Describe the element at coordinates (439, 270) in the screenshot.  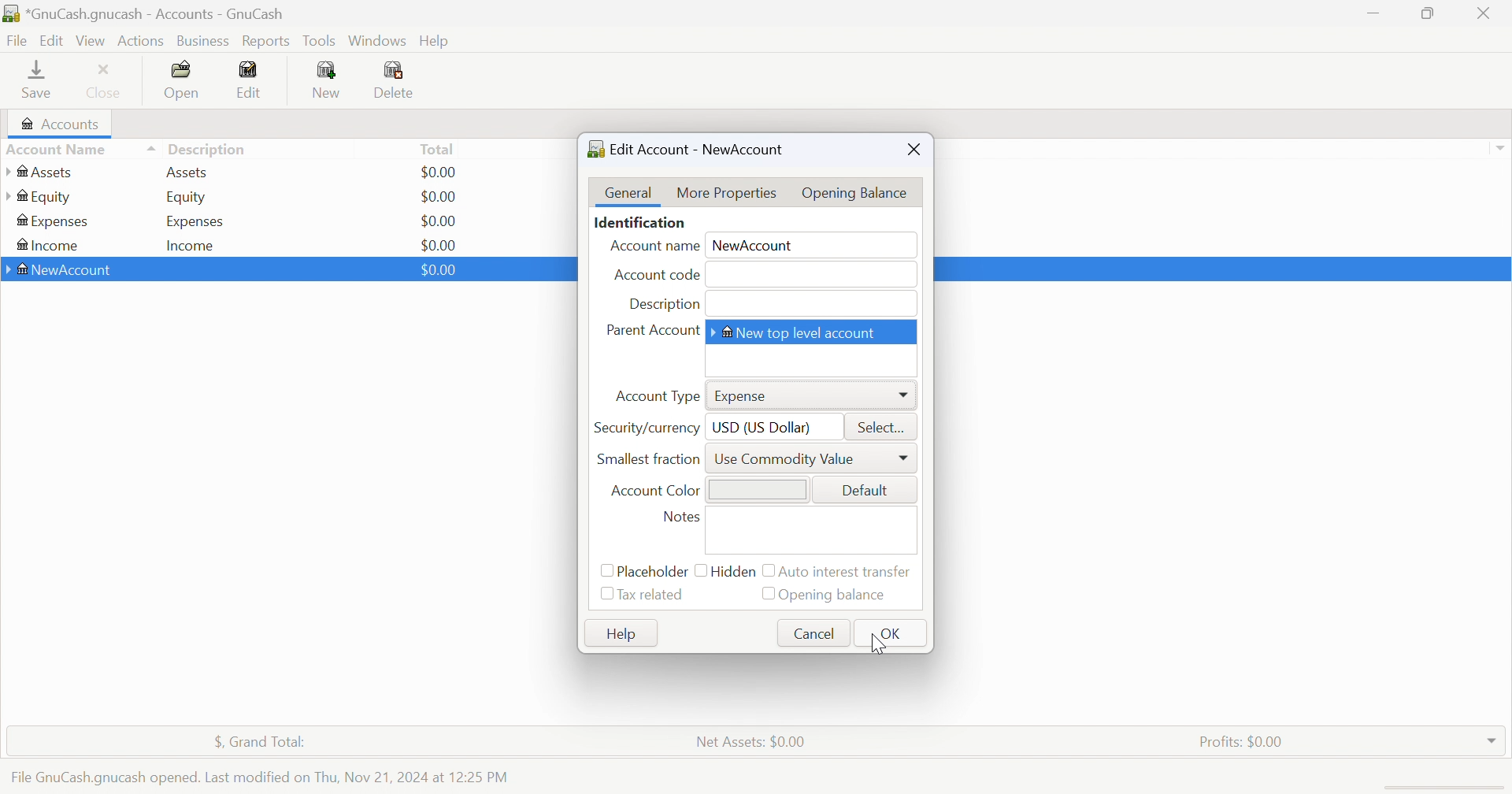
I see `$0.00` at that location.